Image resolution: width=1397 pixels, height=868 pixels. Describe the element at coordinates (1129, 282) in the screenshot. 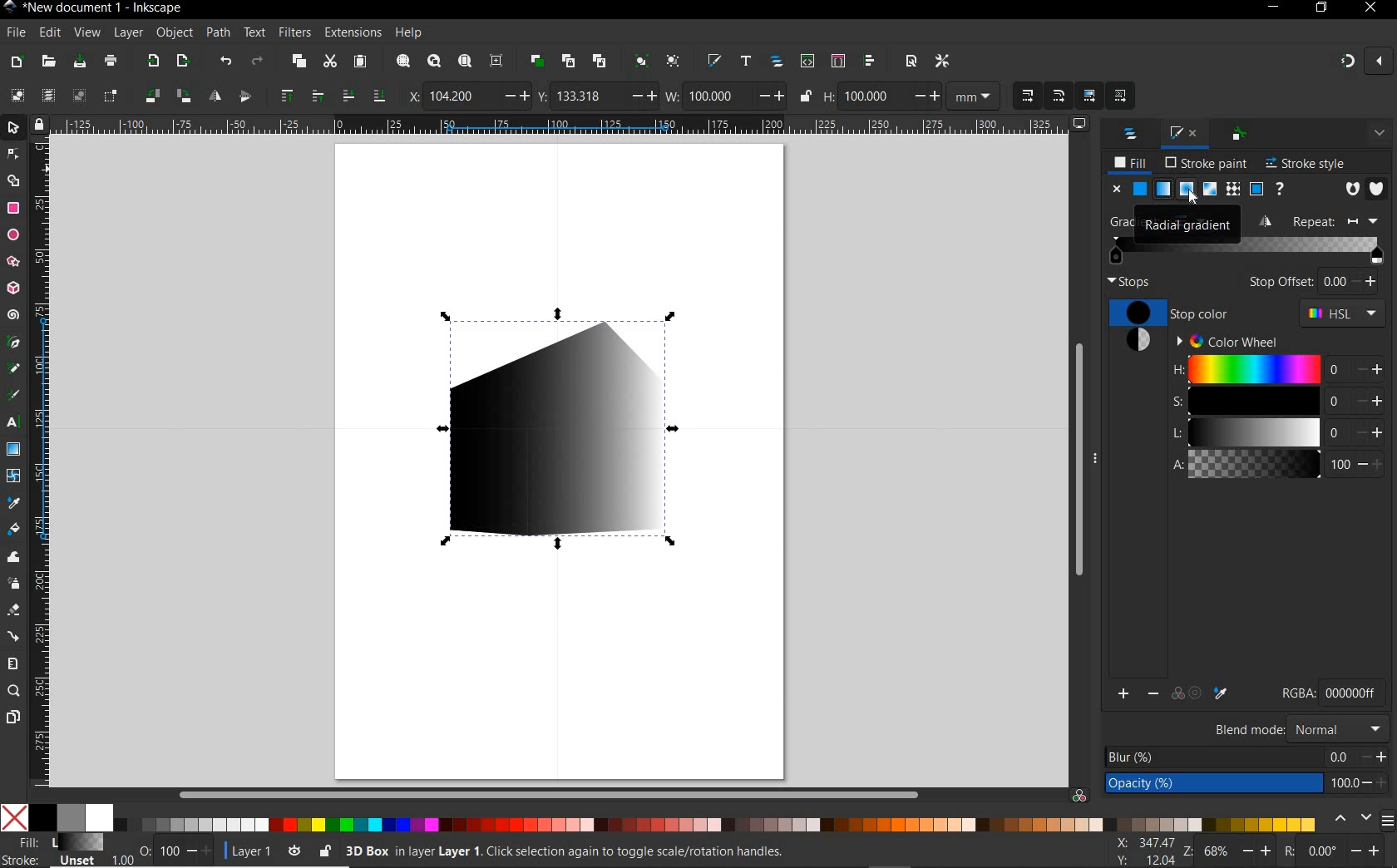

I see `stops` at that location.